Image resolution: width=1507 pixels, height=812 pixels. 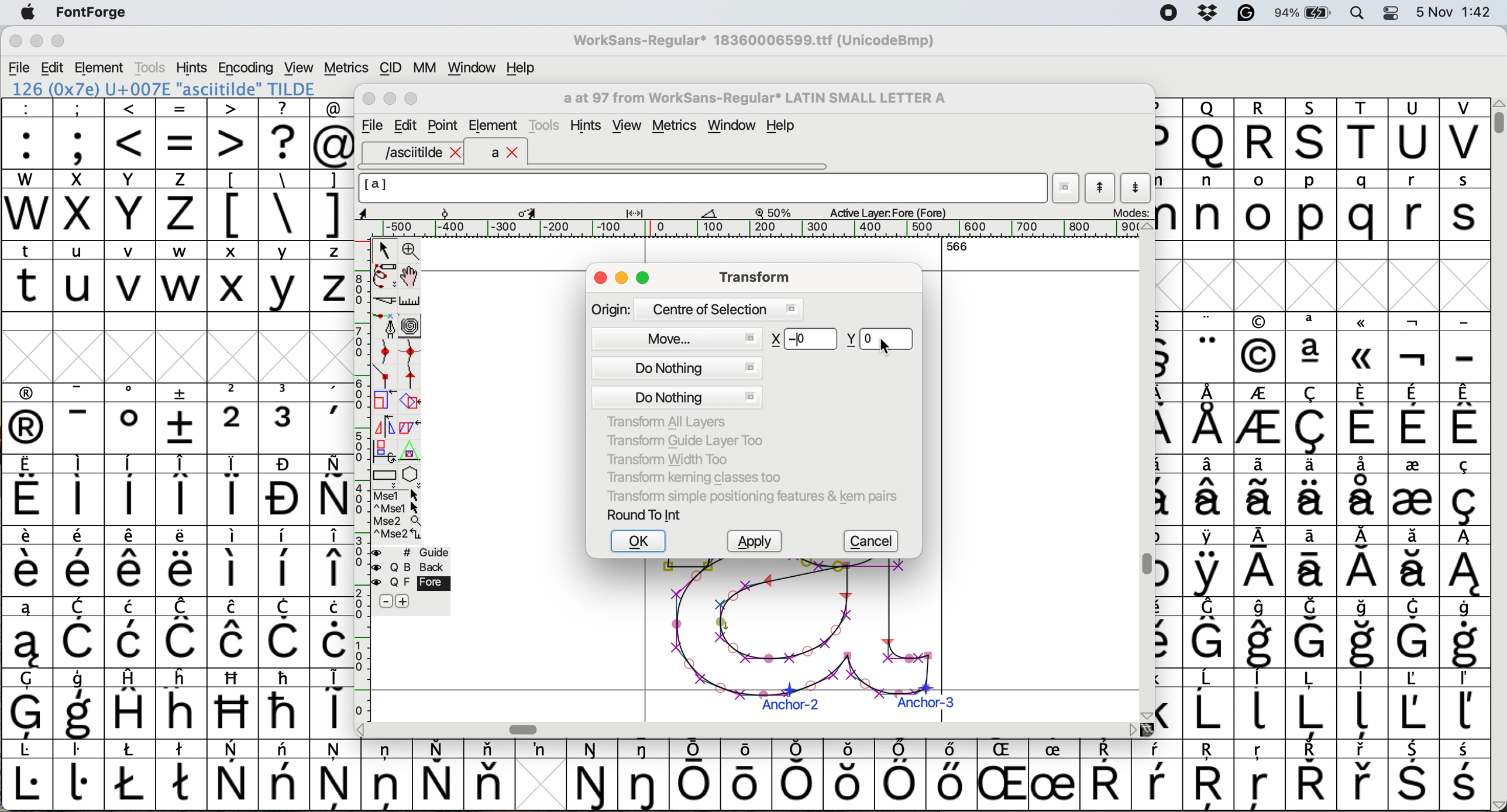 I want to click on symbol, so click(x=284, y=703).